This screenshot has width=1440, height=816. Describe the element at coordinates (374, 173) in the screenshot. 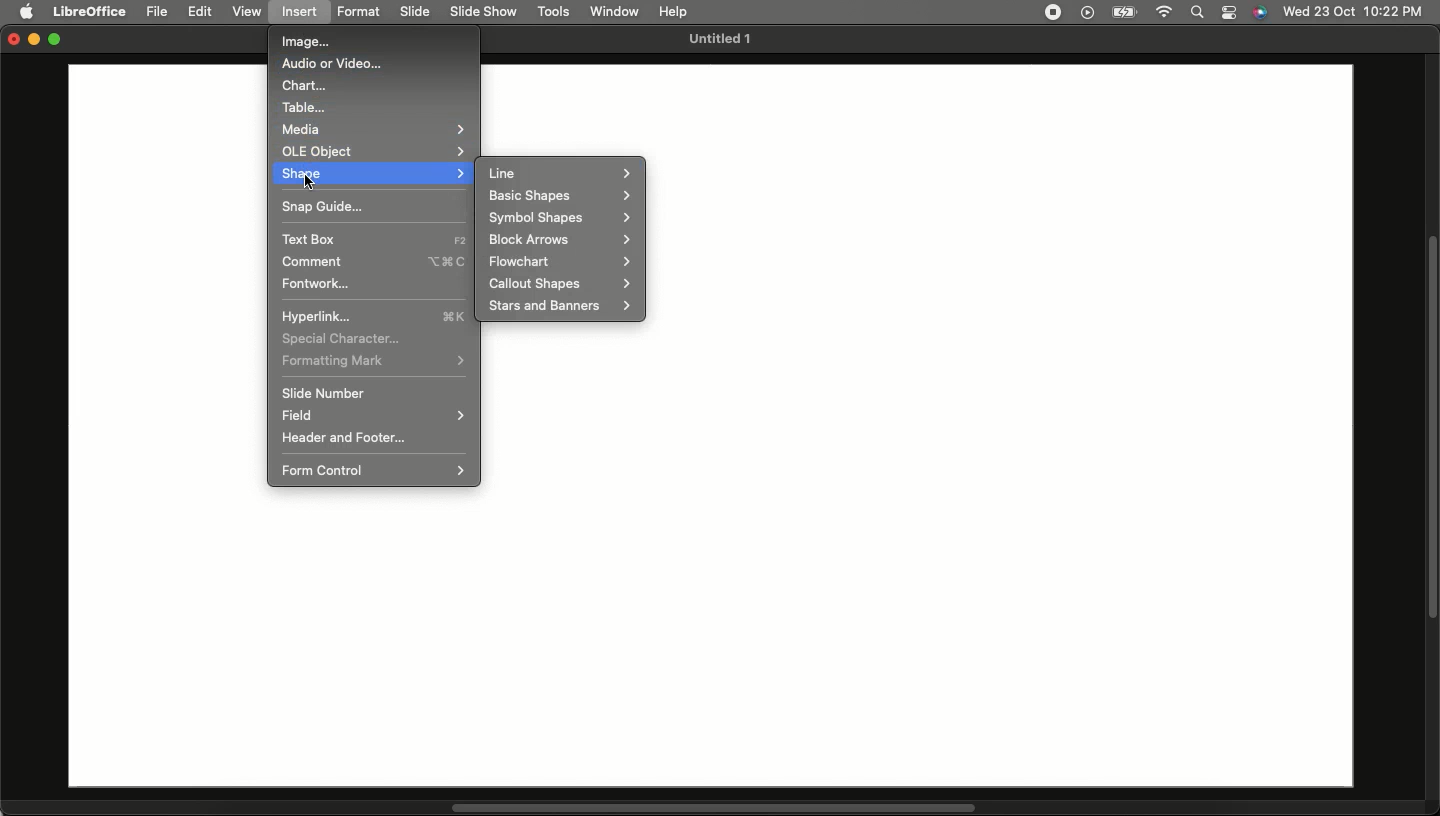

I see `Shape` at that location.